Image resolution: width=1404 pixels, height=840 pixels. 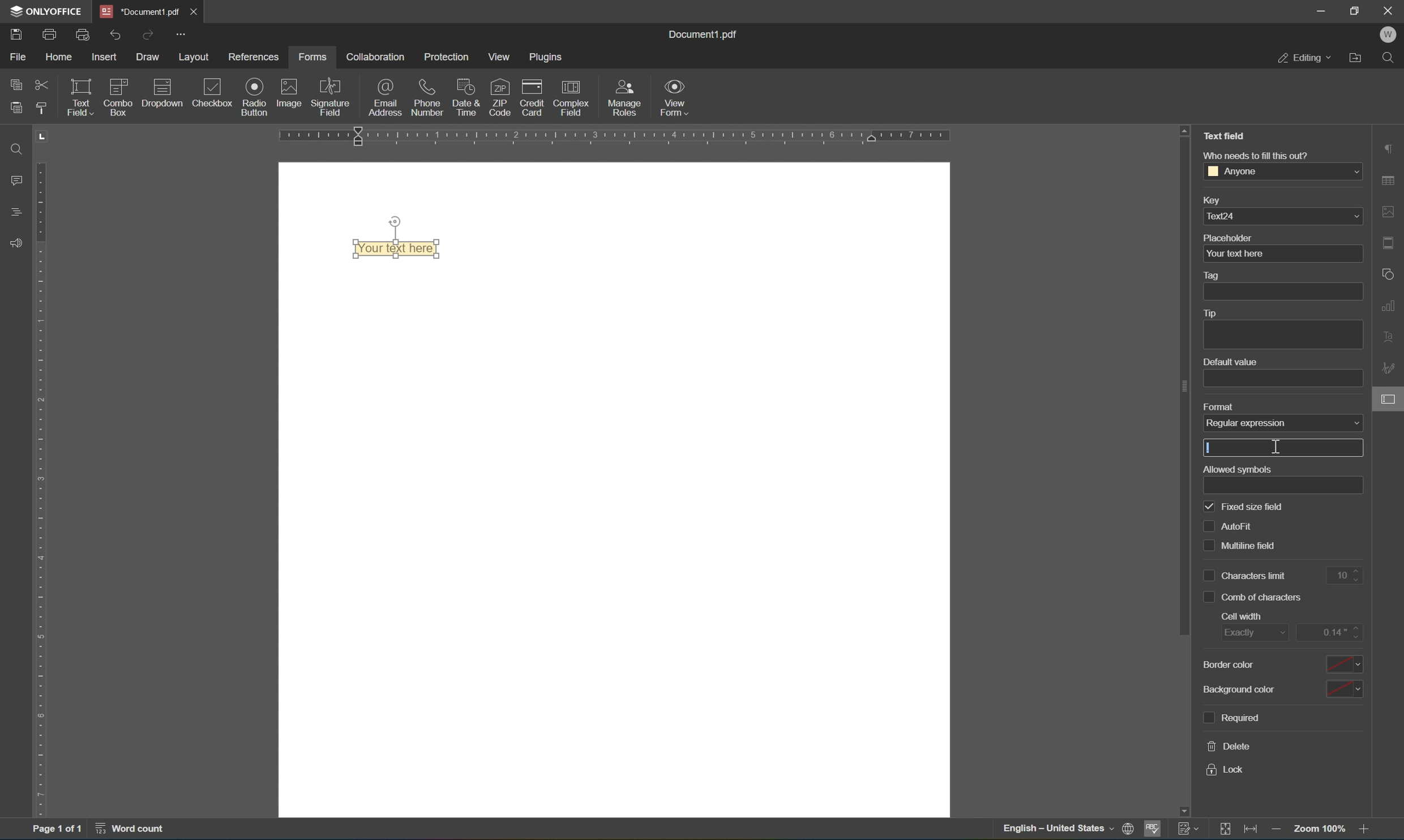 What do you see at coordinates (1390, 303) in the screenshot?
I see `chart settings` at bounding box center [1390, 303].